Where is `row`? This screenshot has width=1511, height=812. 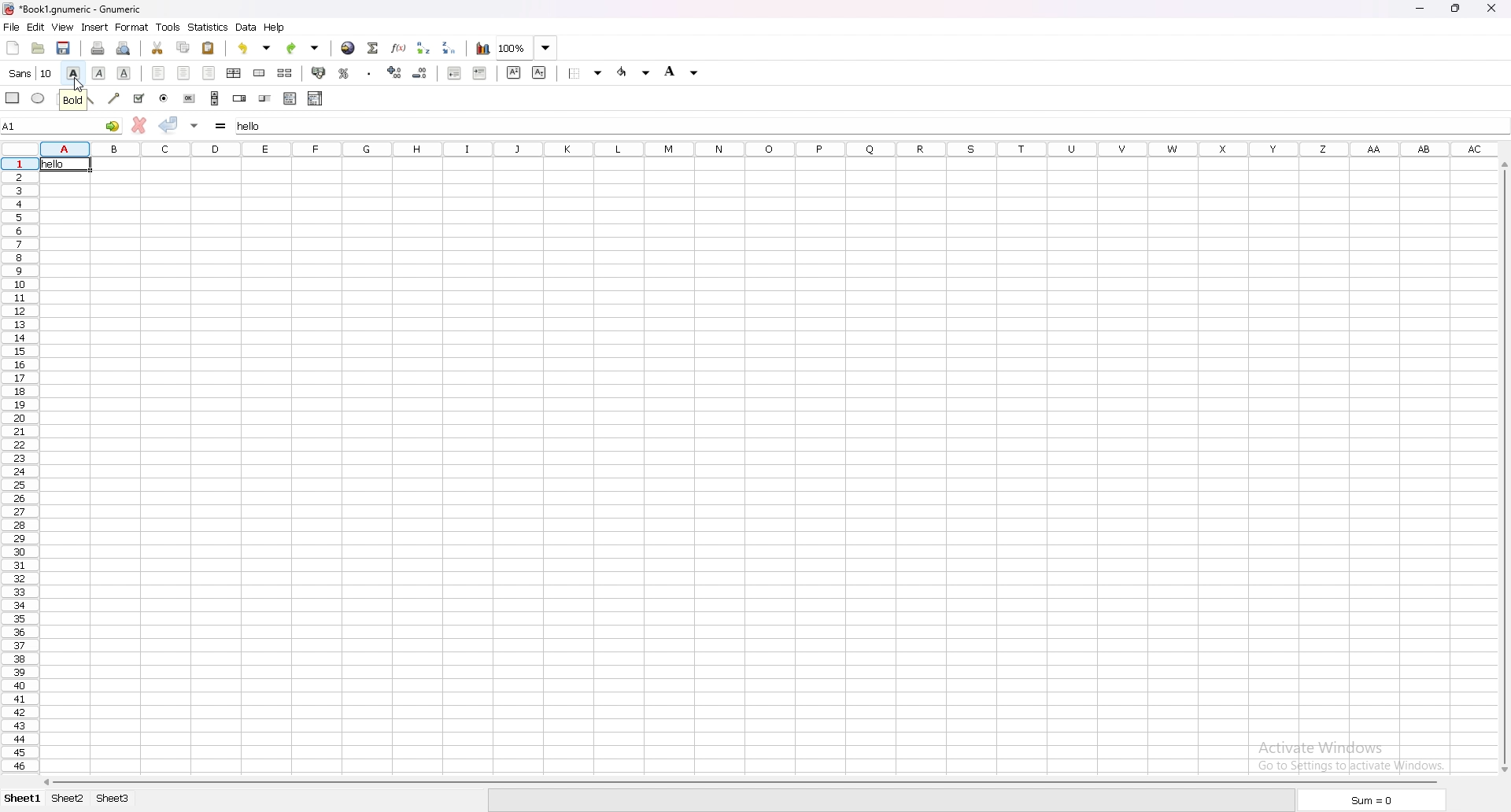
row is located at coordinates (19, 467).